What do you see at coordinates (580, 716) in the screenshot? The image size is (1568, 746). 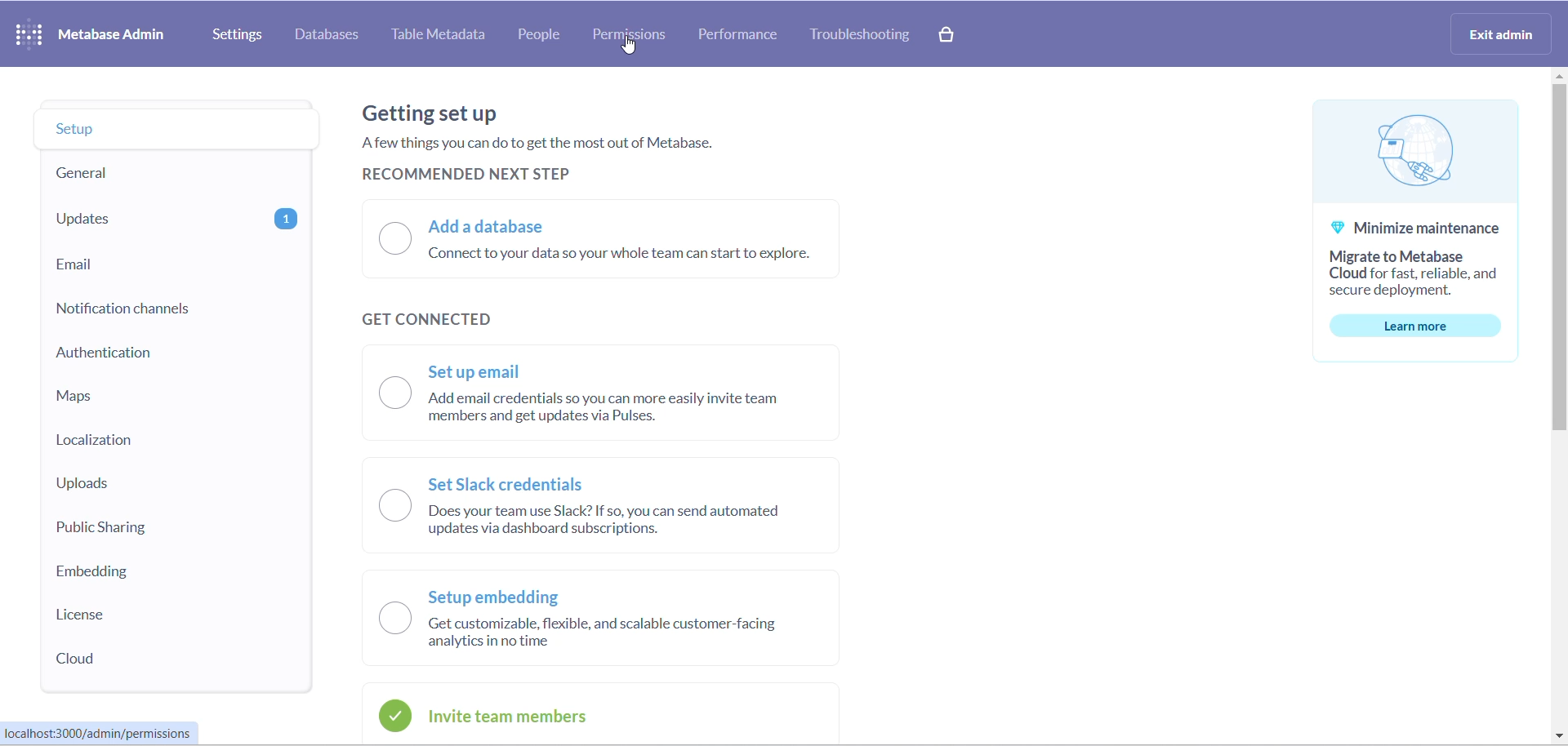 I see `invite team member radio button` at bounding box center [580, 716].